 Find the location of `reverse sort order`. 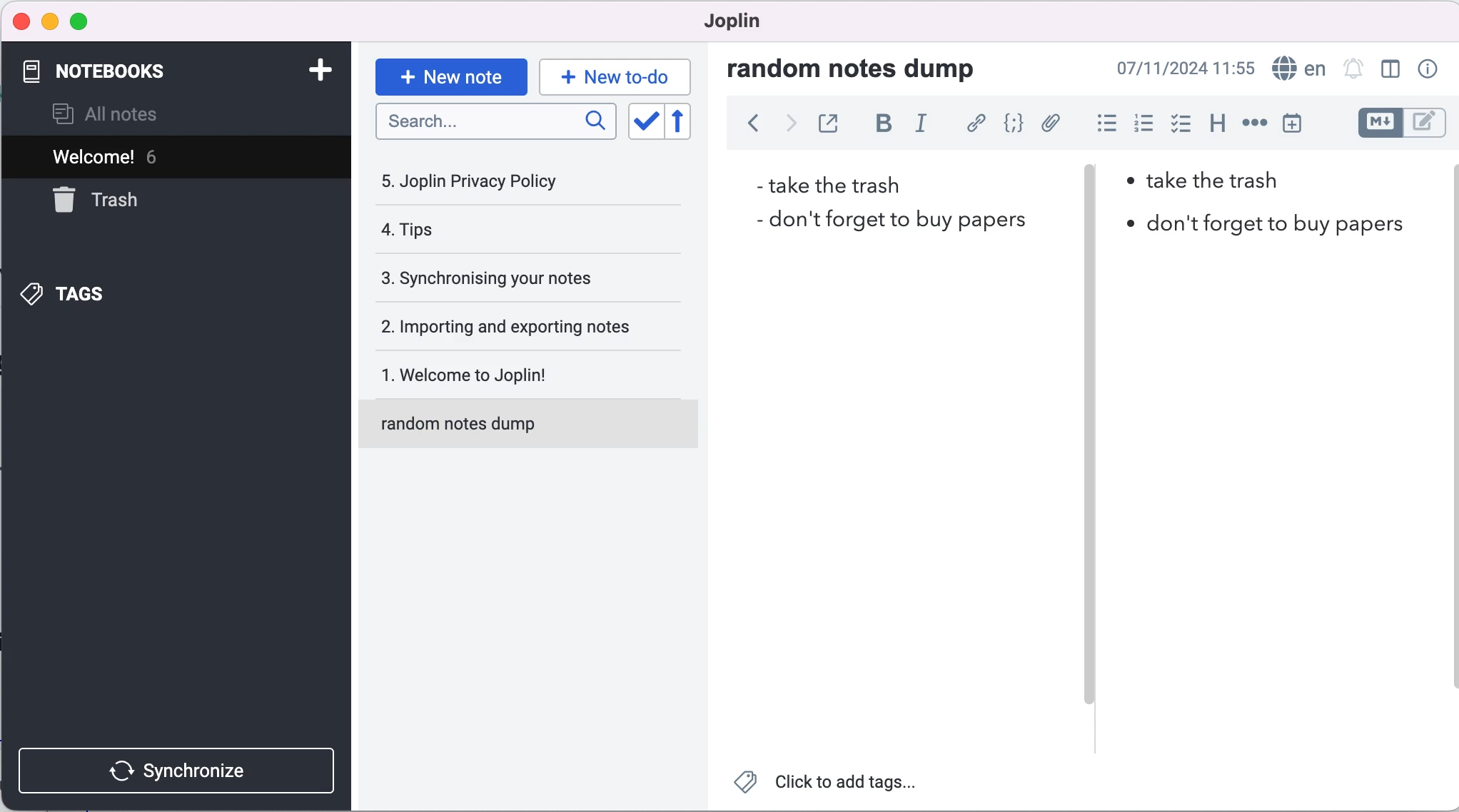

reverse sort order is located at coordinates (690, 122).